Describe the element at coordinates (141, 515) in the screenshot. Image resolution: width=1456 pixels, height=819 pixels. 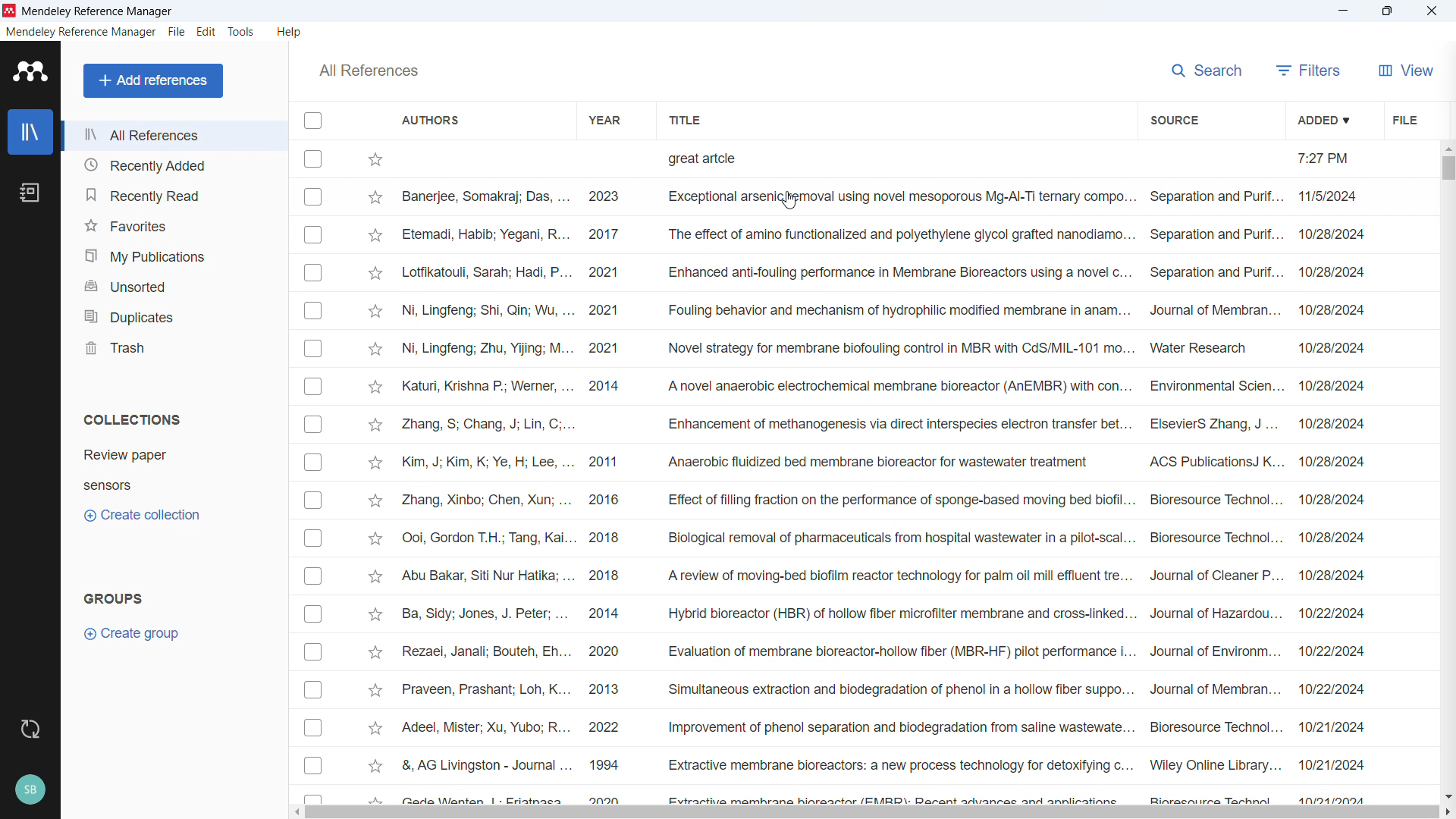
I see `Create collection ` at that location.